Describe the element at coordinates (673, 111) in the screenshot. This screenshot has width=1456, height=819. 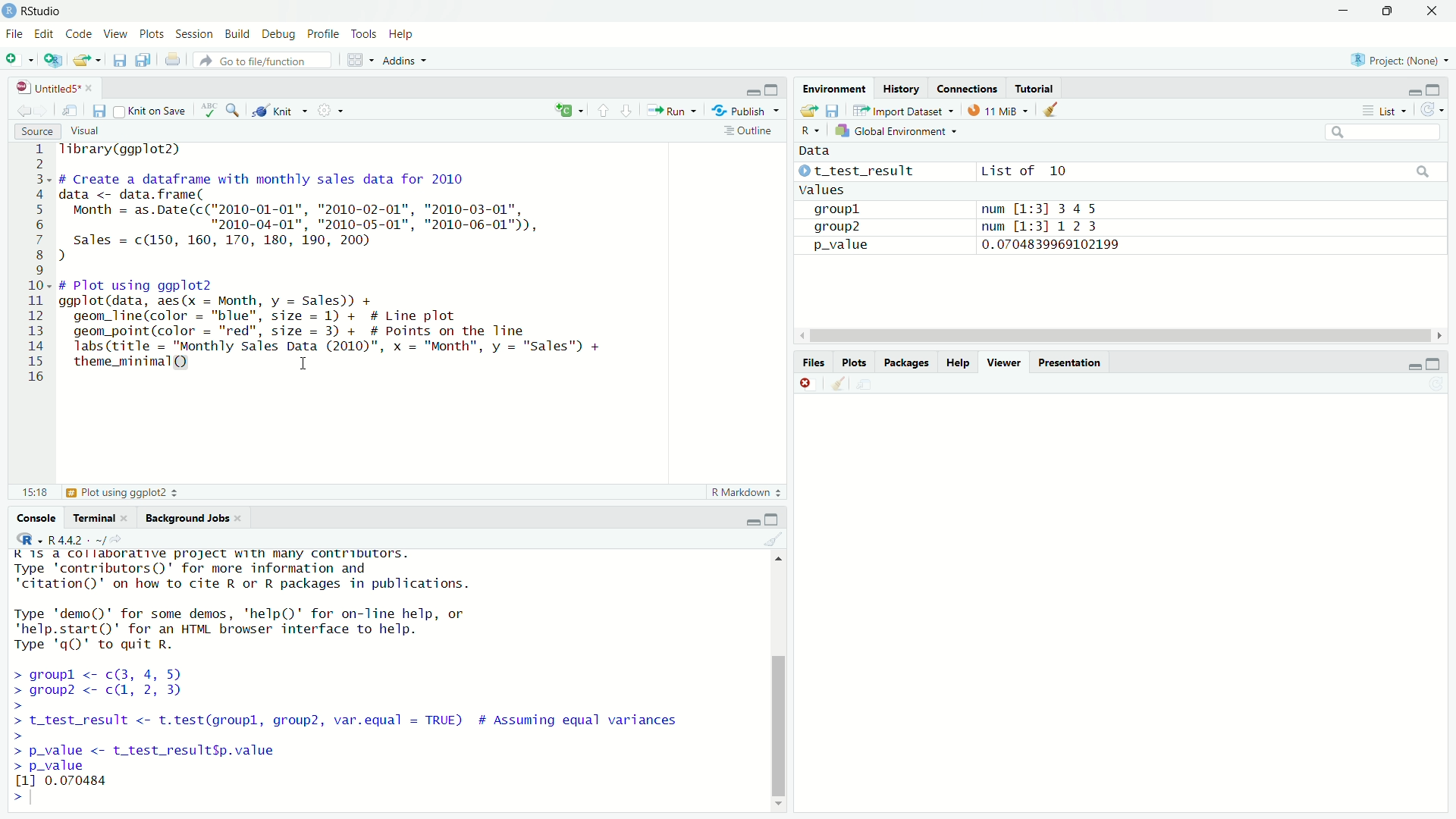
I see `Run ` at that location.